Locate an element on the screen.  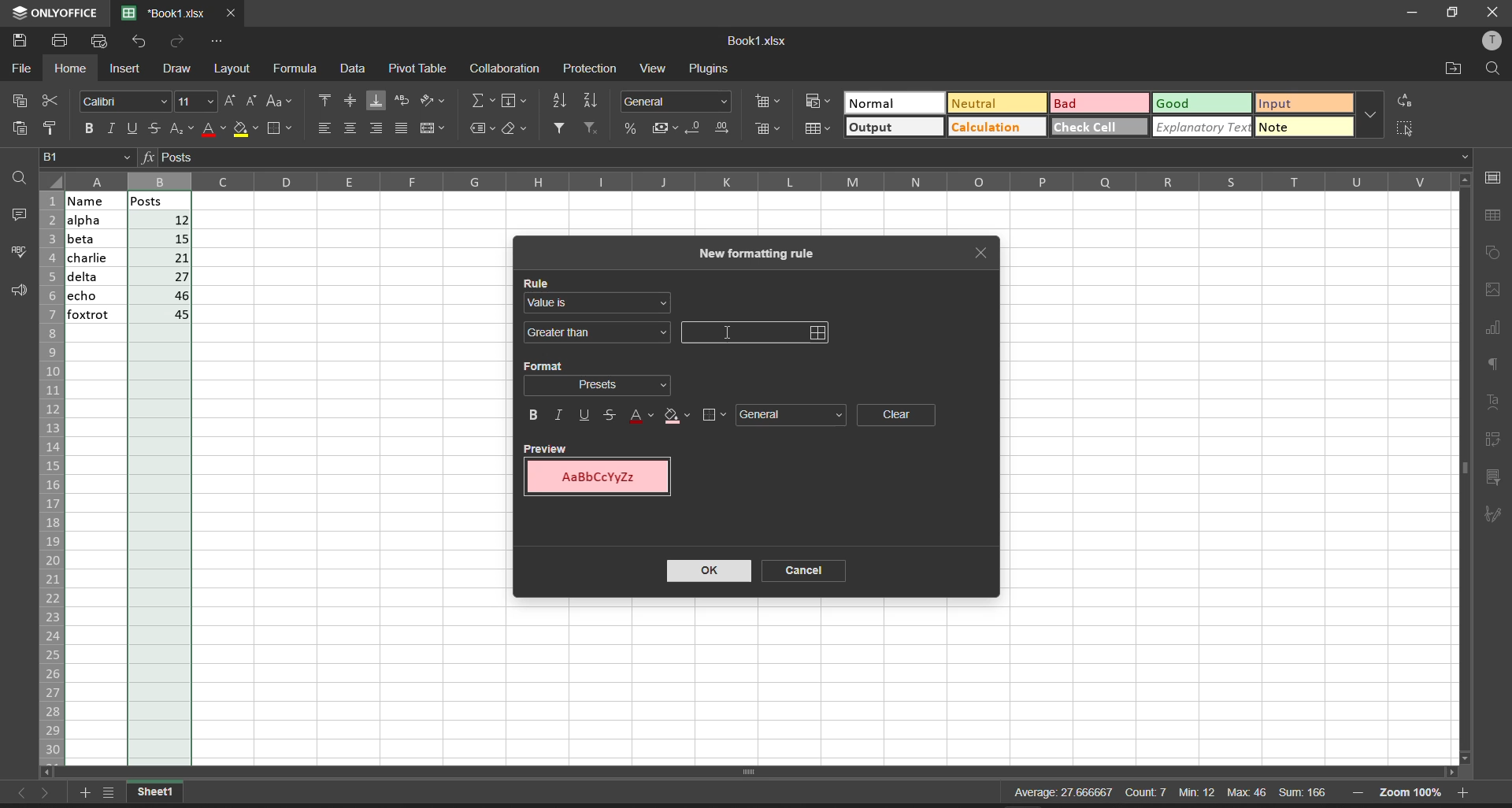
sort descending is located at coordinates (592, 101).